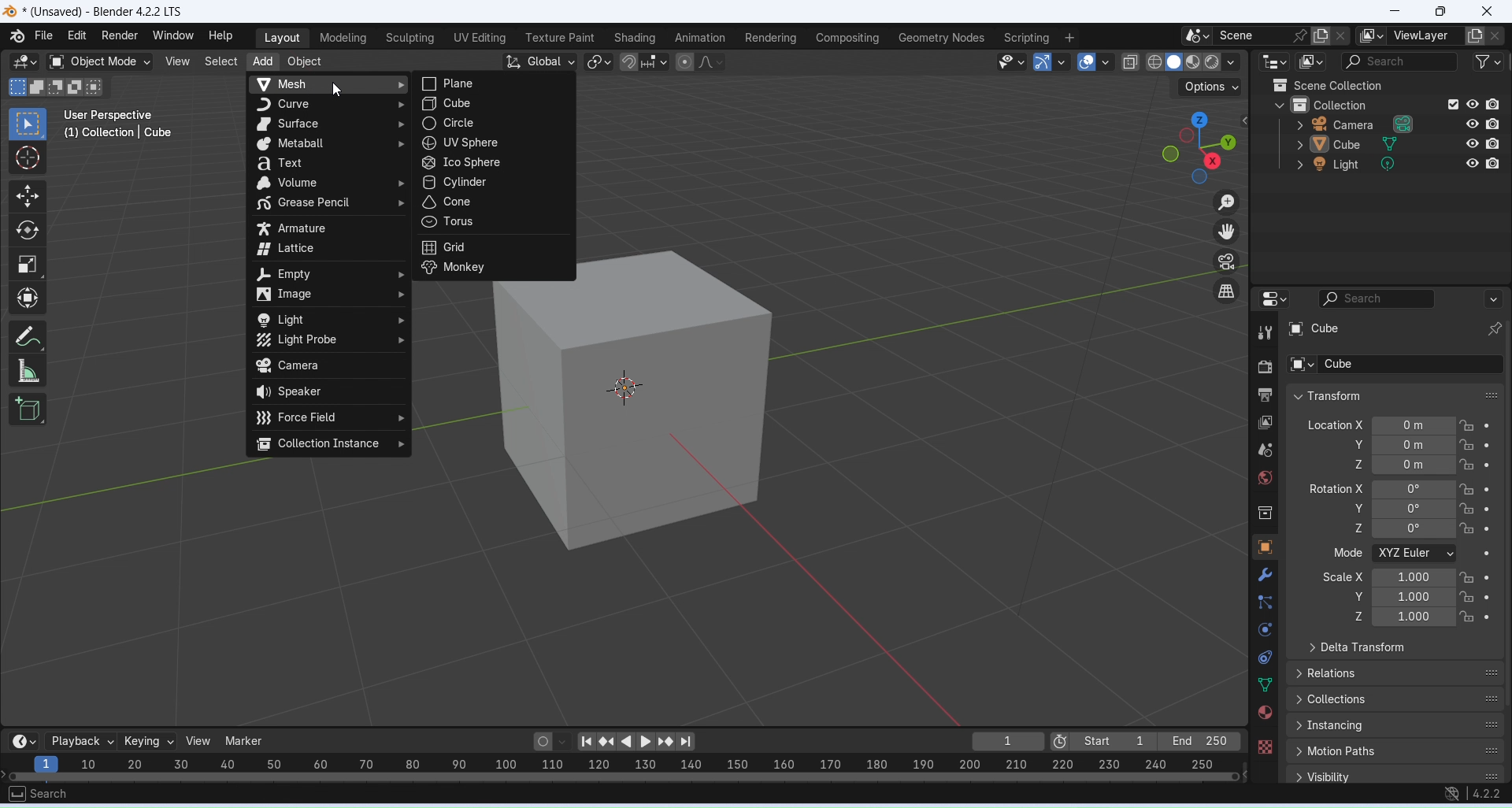 This screenshot has height=808, width=1512. What do you see at coordinates (280, 38) in the screenshot?
I see `Layout` at bounding box center [280, 38].